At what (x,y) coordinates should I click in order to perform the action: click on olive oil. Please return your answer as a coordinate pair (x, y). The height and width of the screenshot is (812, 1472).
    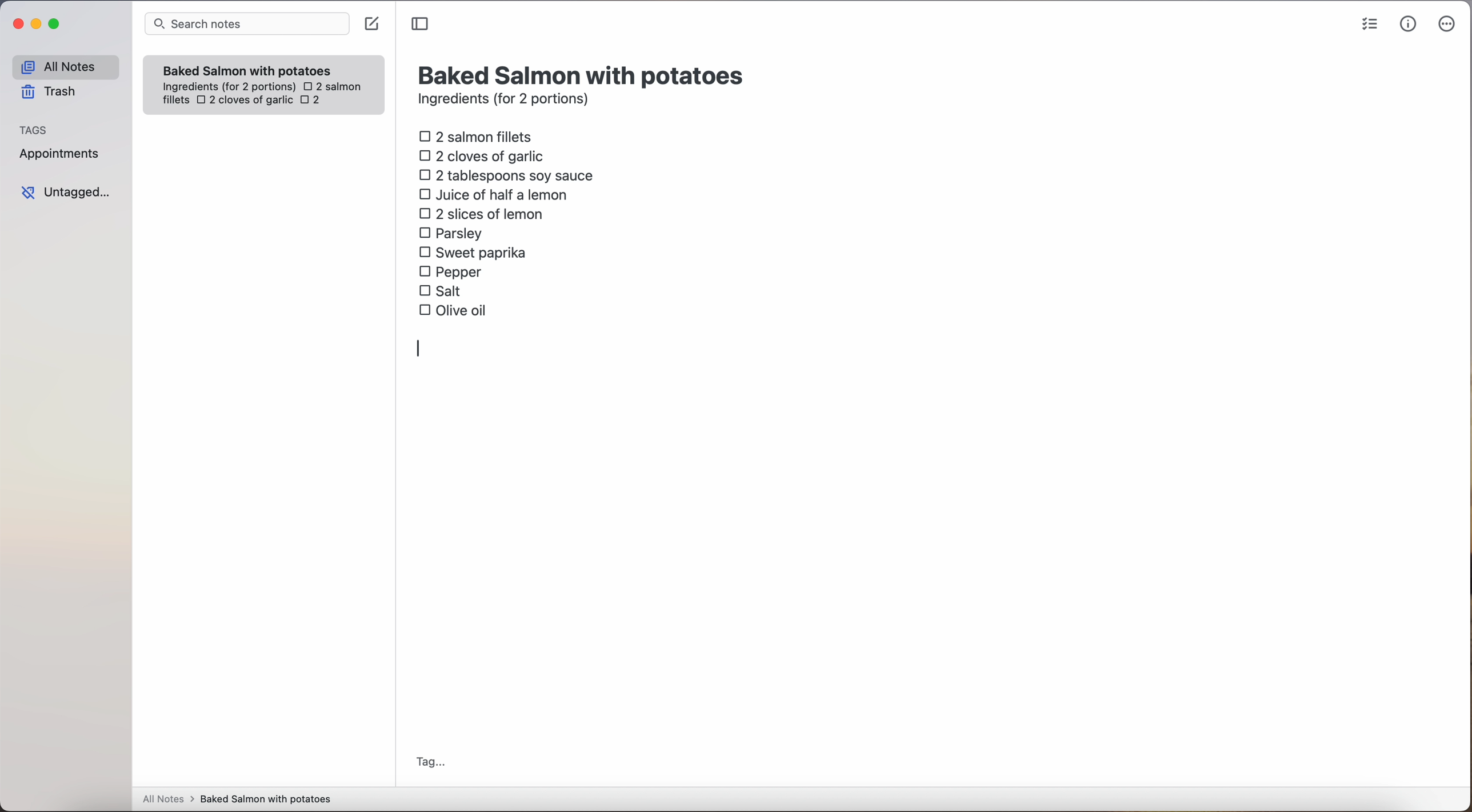
    Looking at the image, I should click on (454, 309).